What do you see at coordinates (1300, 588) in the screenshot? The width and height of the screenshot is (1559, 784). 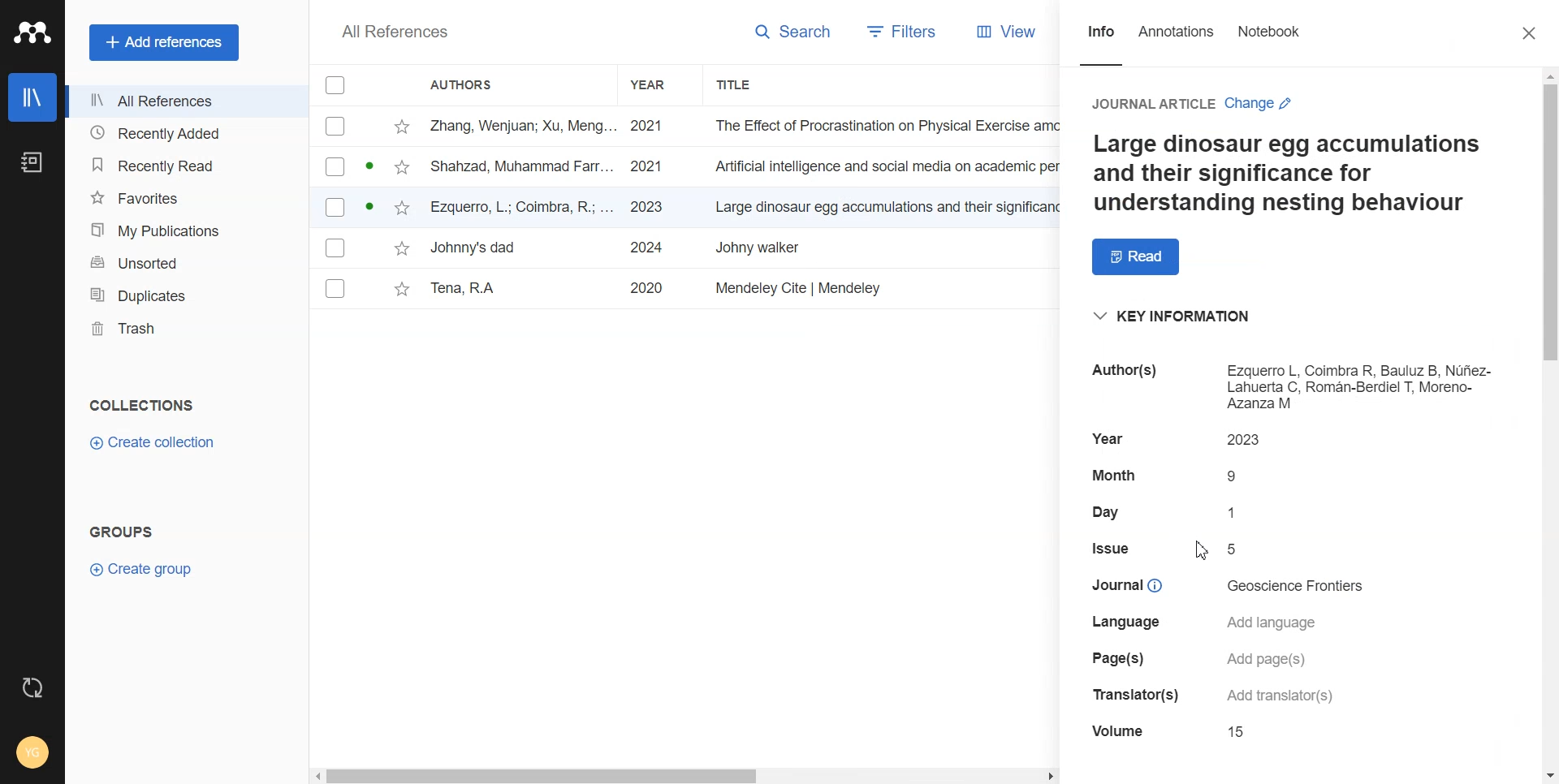 I see `details` at bounding box center [1300, 588].